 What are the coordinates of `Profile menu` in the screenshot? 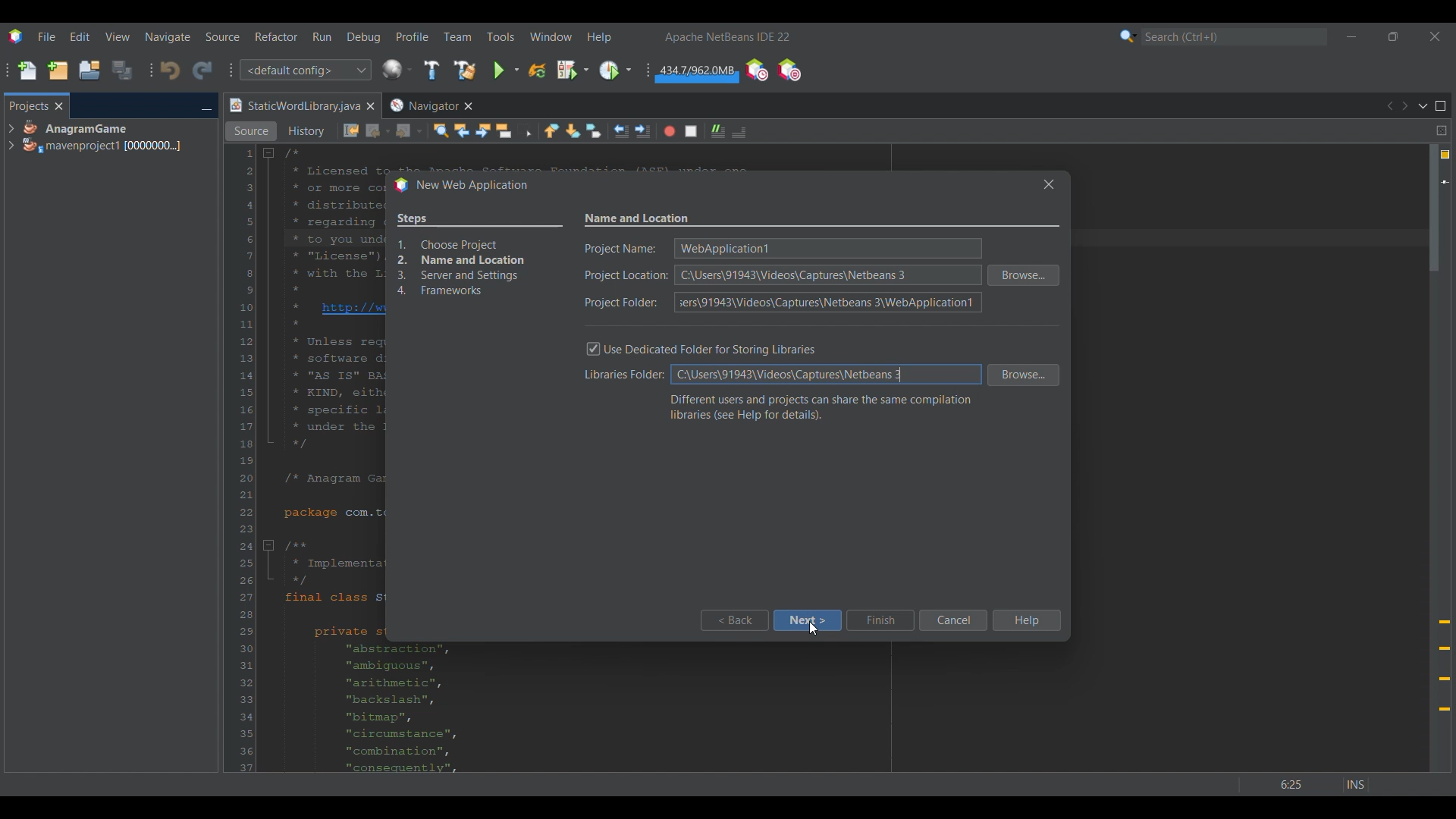 It's located at (413, 36).